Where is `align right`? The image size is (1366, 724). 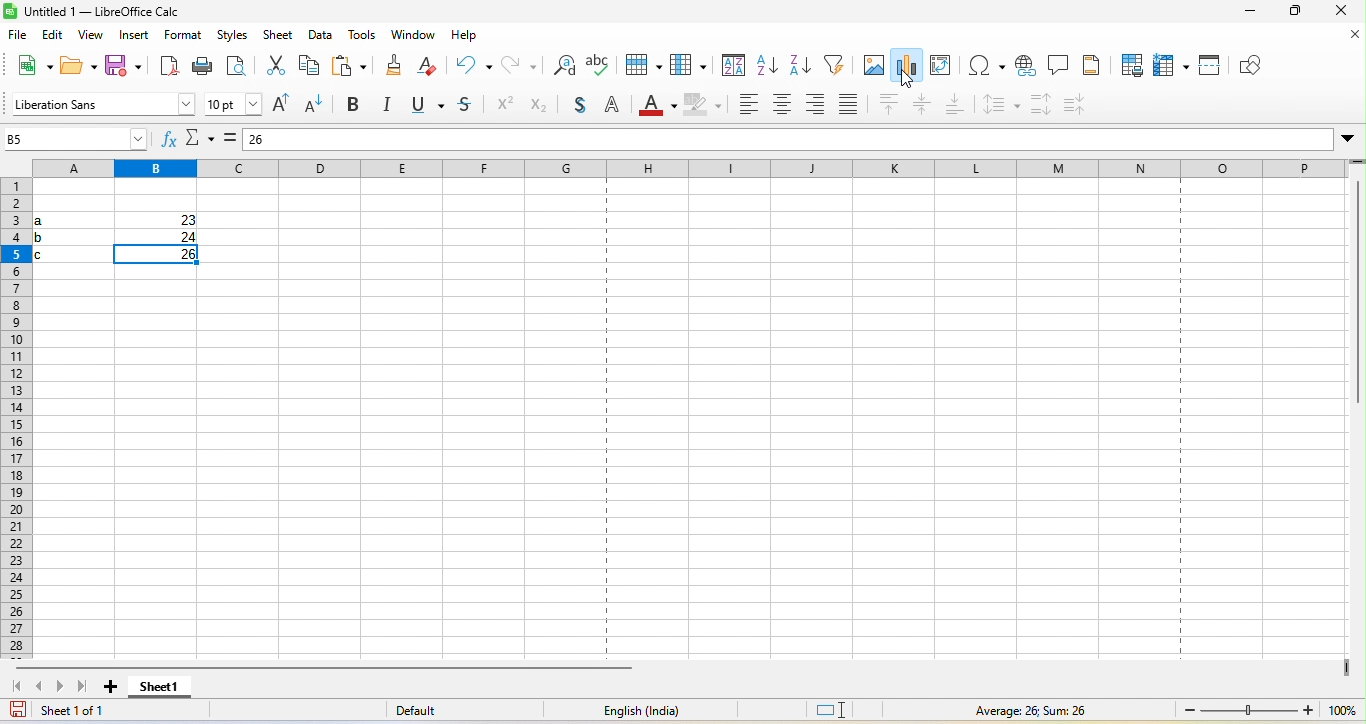 align right is located at coordinates (818, 105).